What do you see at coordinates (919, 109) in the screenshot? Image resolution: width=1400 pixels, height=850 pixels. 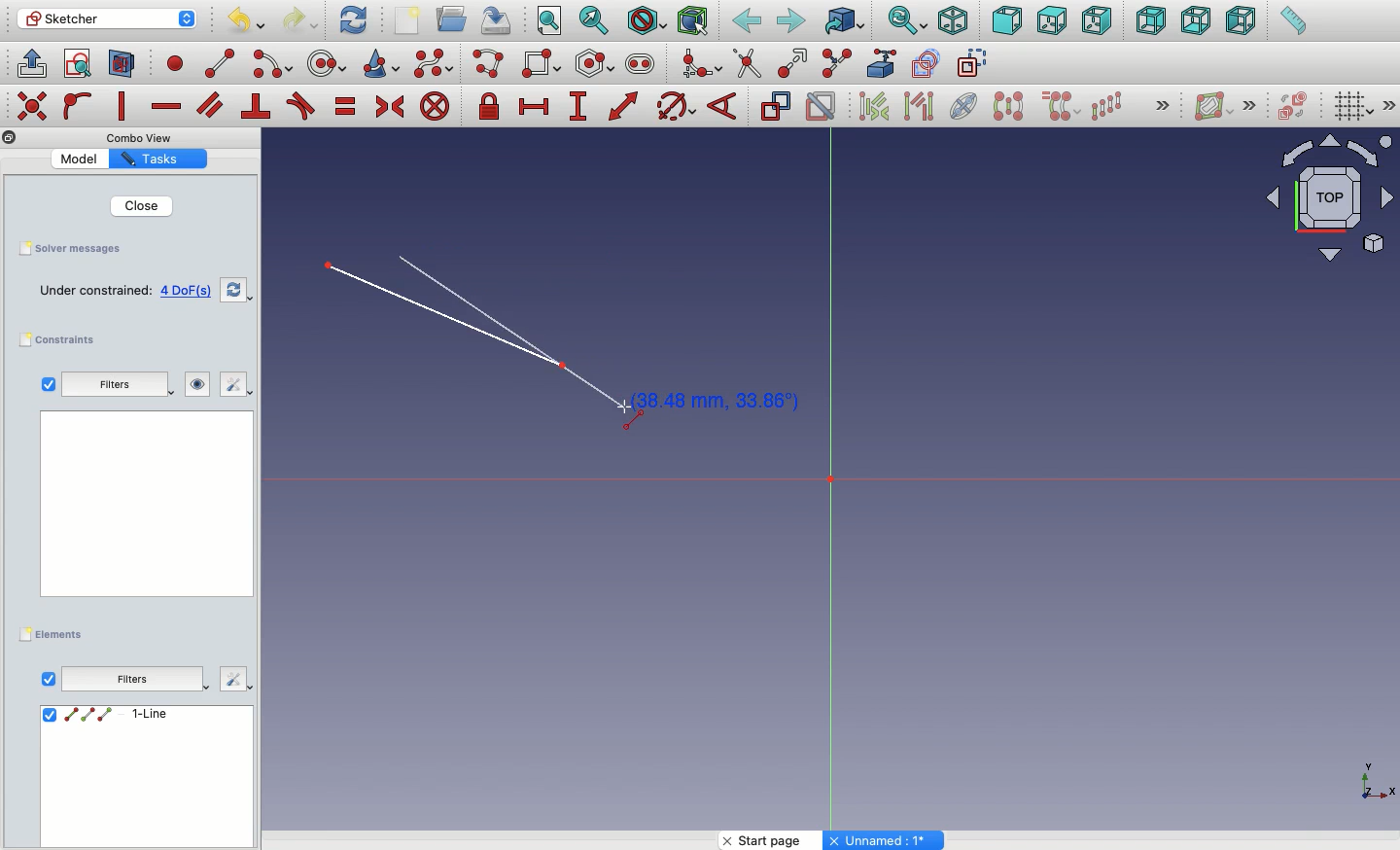 I see `Associated geometry` at bounding box center [919, 109].